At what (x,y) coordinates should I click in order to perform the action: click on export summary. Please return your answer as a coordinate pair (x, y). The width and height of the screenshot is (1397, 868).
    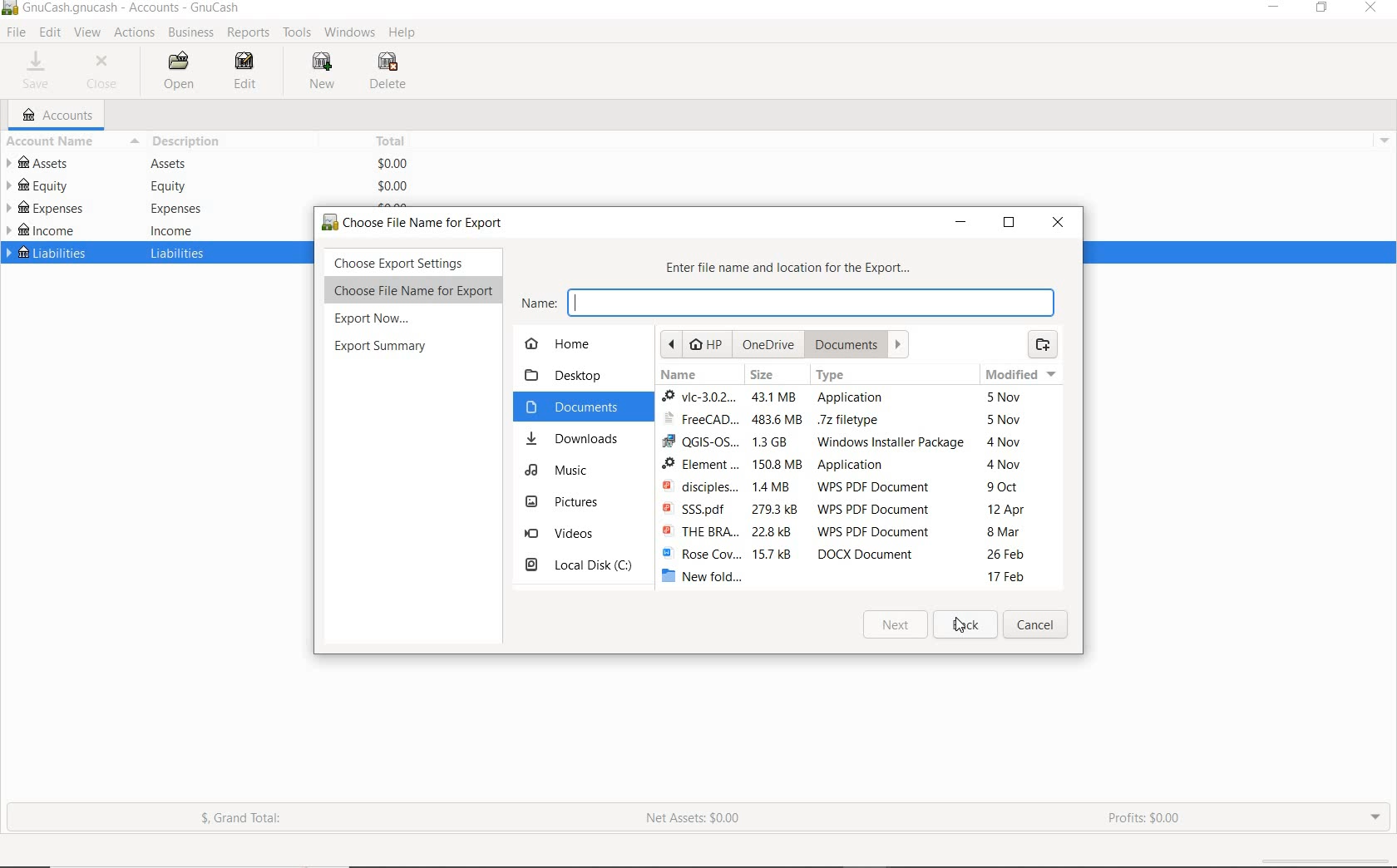
    Looking at the image, I should click on (381, 348).